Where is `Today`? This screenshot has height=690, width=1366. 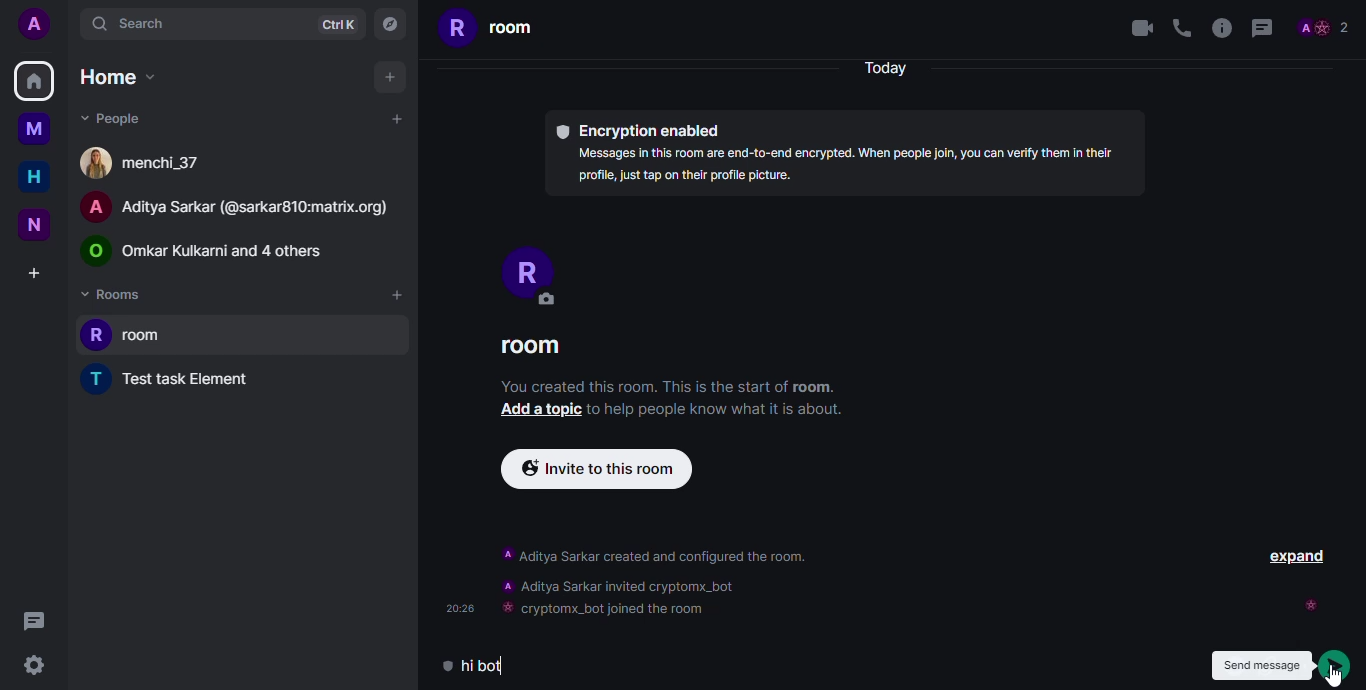
Today is located at coordinates (892, 69).